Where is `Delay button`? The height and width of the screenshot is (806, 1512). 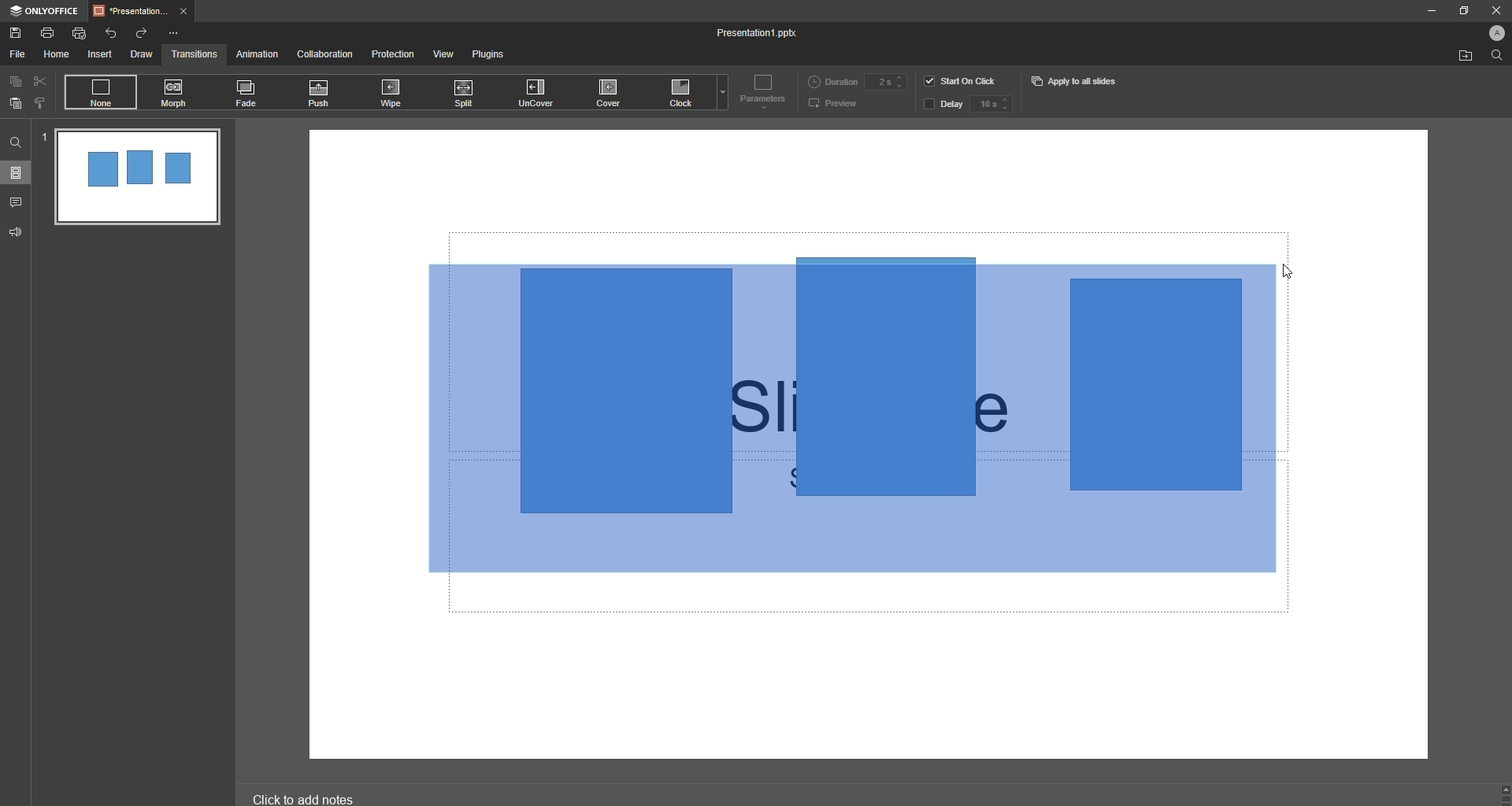 Delay button is located at coordinates (943, 105).